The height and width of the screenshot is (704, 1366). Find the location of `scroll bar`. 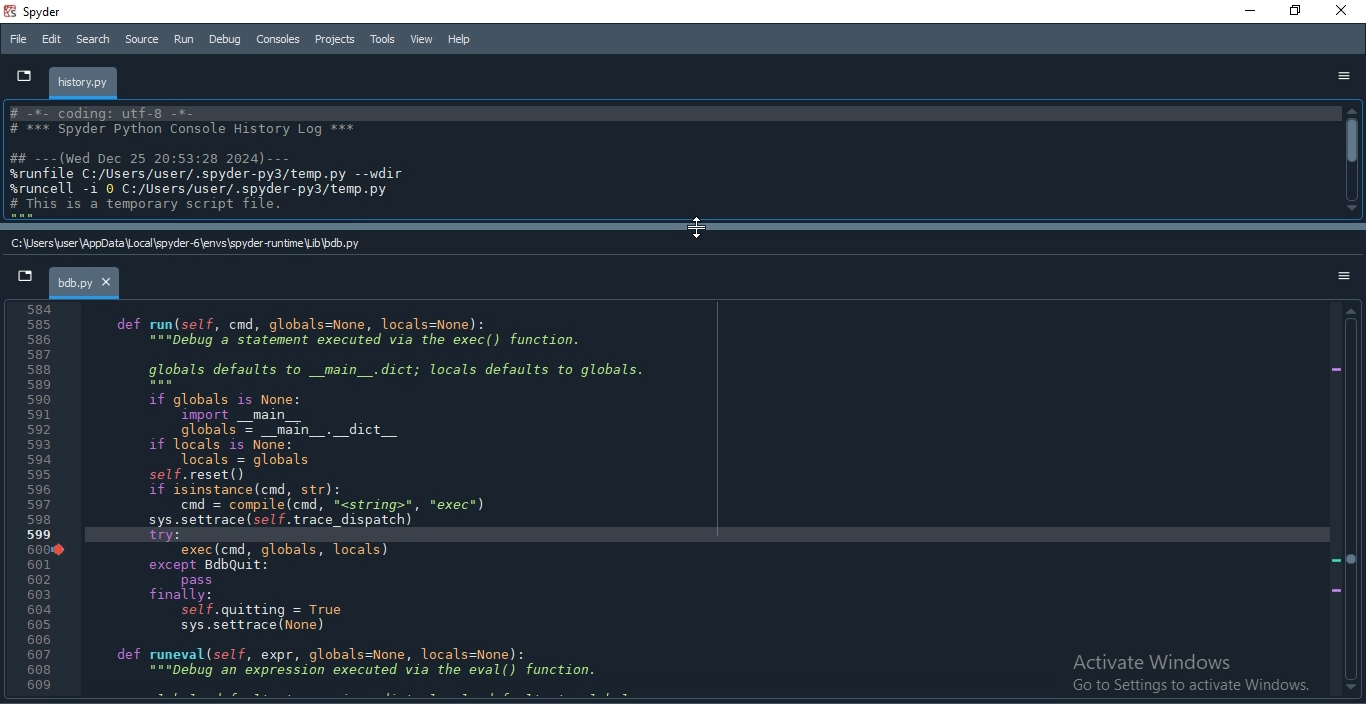

scroll bar is located at coordinates (1351, 503).